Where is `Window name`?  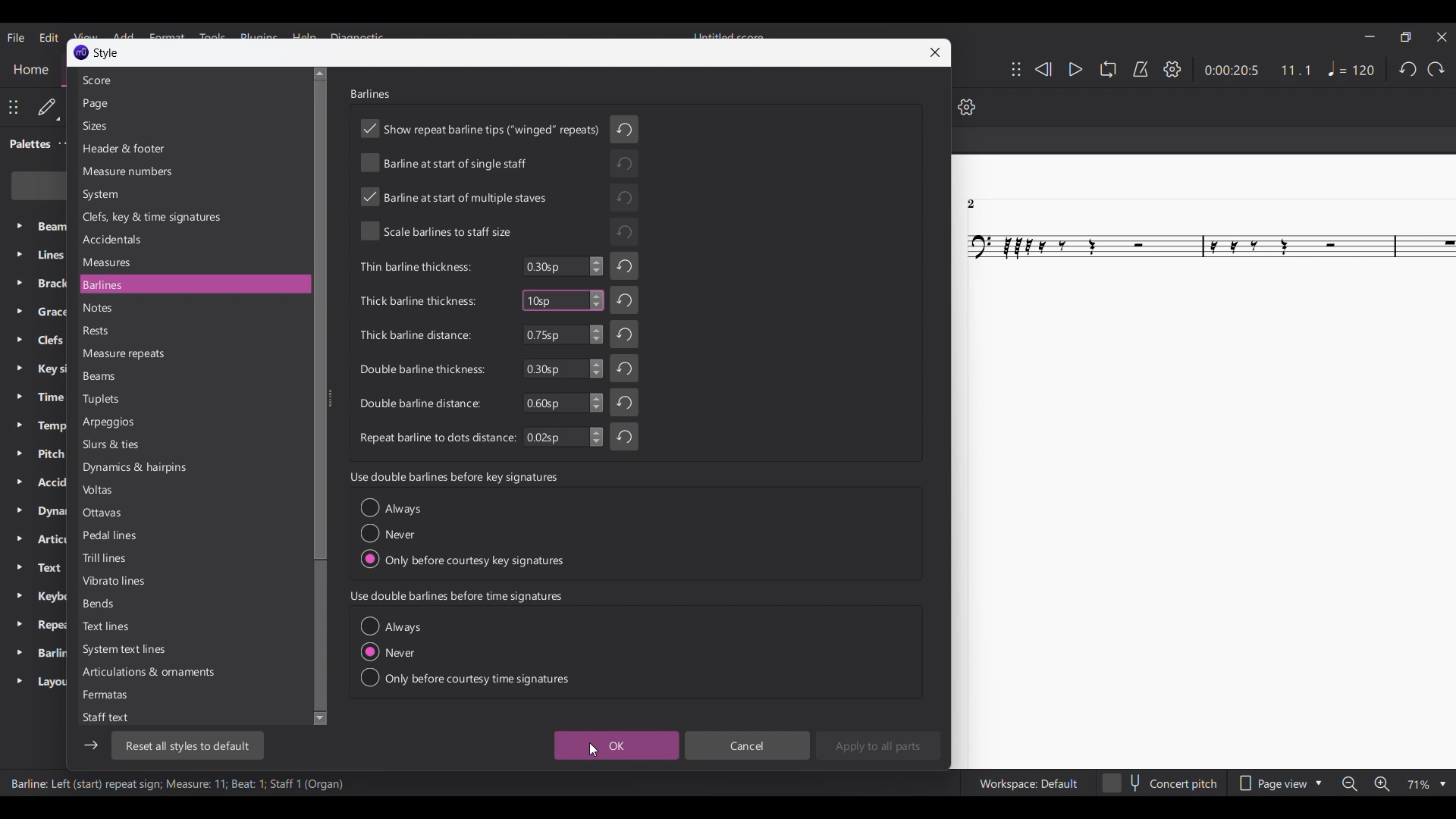
Window name is located at coordinates (106, 52).